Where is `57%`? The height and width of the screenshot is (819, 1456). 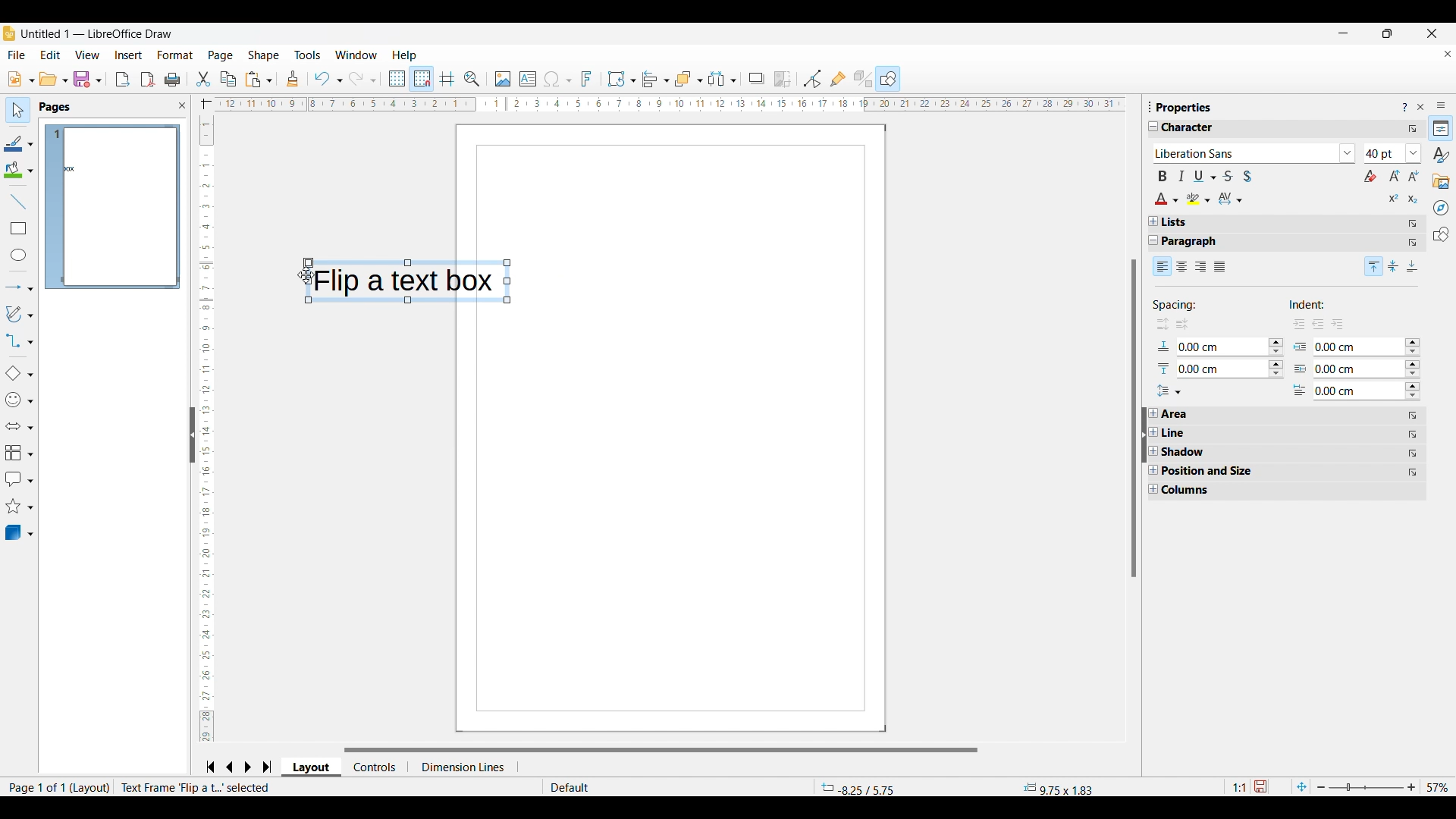 57% is located at coordinates (1438, 787).